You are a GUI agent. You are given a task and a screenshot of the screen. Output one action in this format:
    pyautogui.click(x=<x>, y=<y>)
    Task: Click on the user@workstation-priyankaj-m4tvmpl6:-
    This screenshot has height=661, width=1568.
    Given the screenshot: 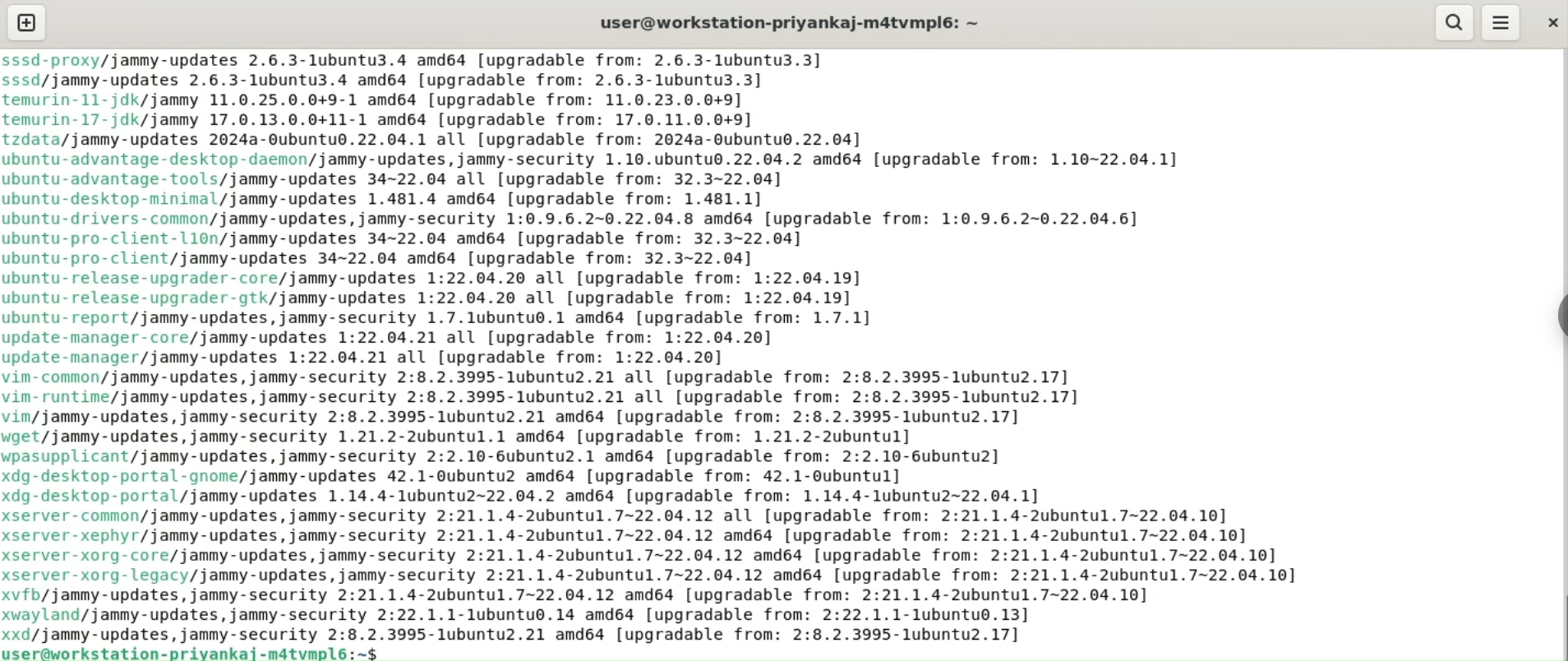 What is the action you would take?
    pyautogui.click(x=796, y=23)
    